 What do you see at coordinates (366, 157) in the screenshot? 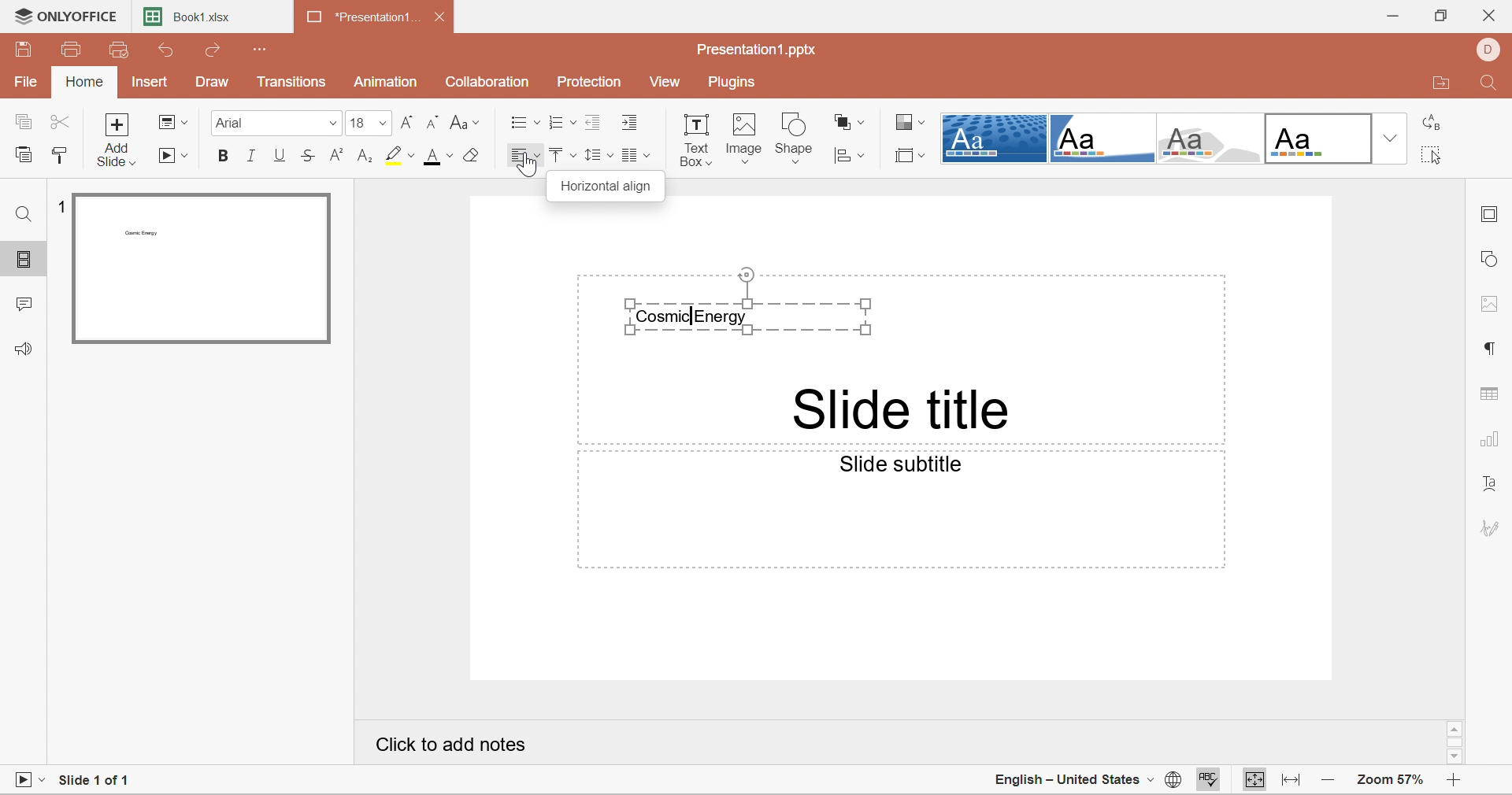
I see `Subscript` at bounding box center [366, 157].